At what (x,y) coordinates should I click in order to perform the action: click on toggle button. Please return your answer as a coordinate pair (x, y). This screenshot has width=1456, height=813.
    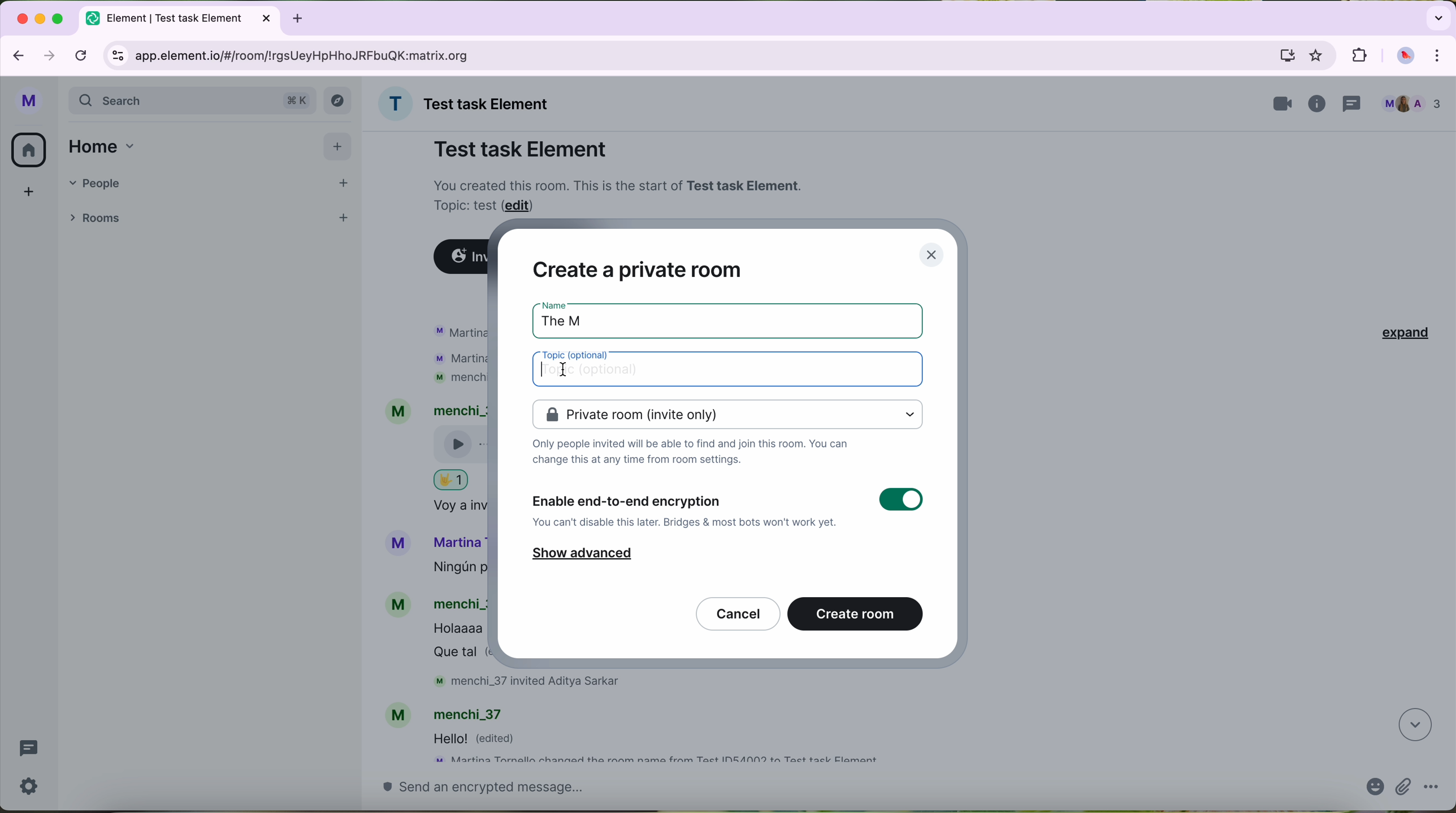
    Looking at the image, I should click on (900, 501).